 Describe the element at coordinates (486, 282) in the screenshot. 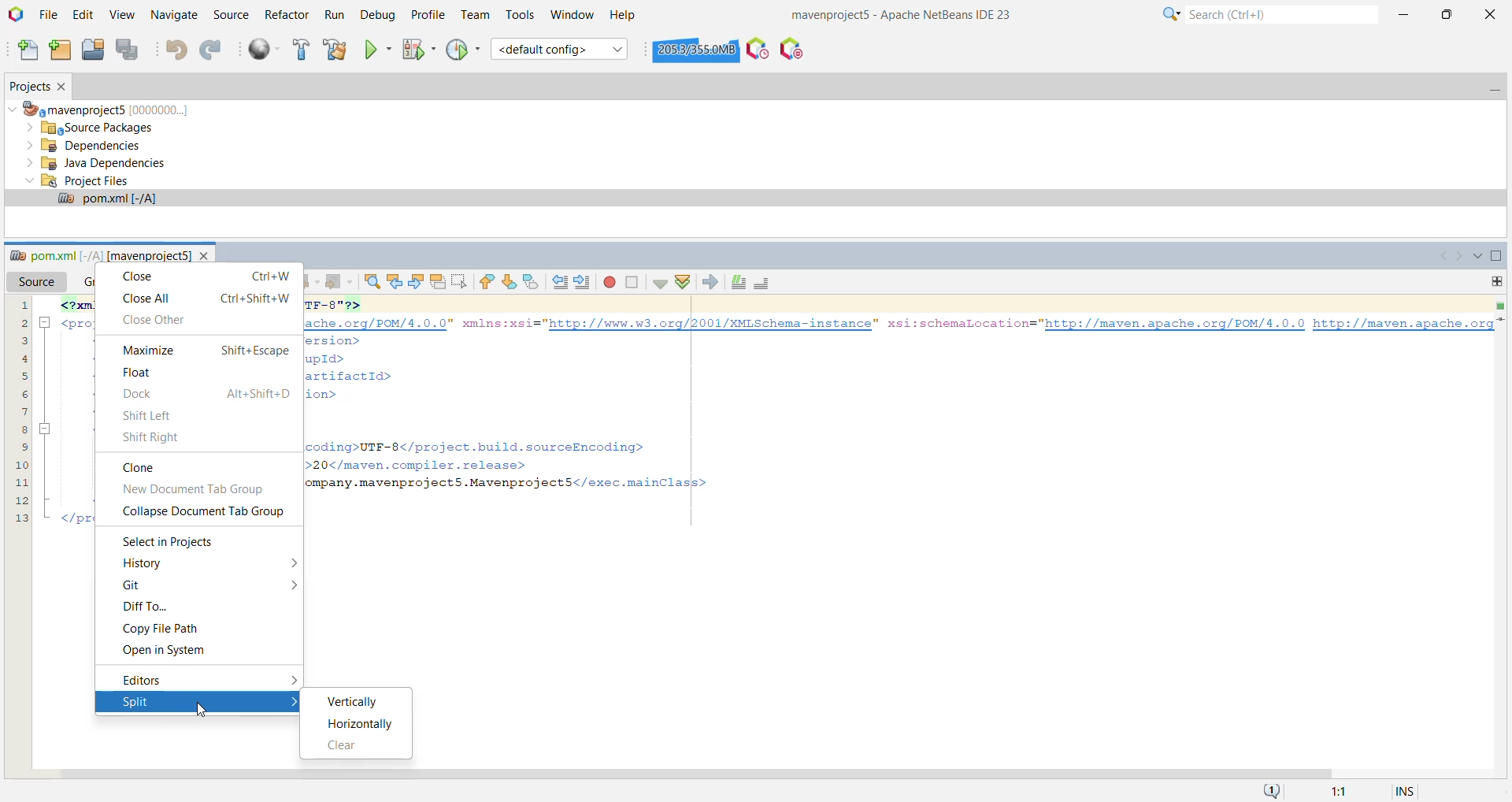

I see `Previous Bookmark` at that location.